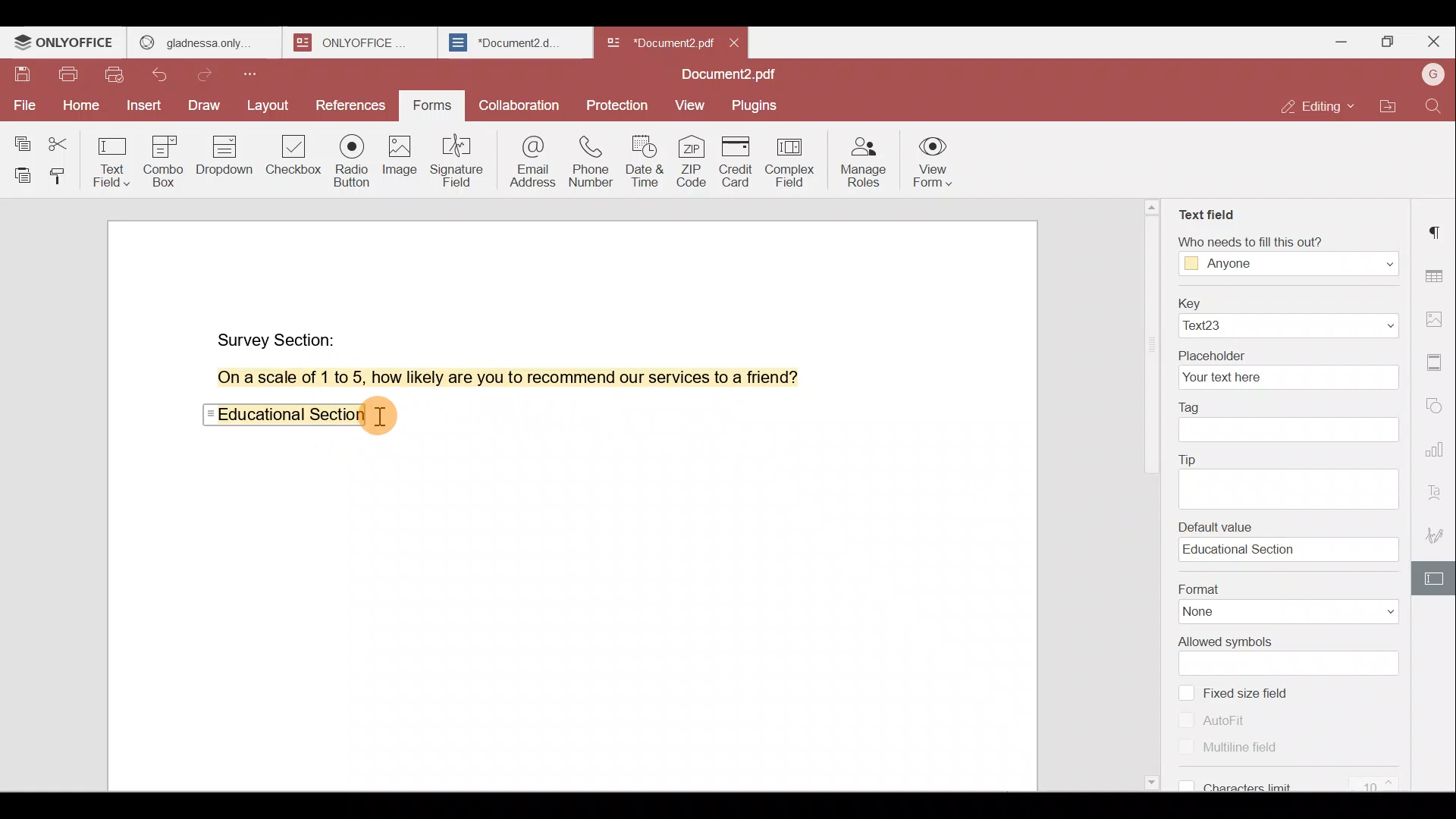 Image resolution: width=1456 pixels, height=819 pixels. What do you see at coordinates (295, 160) in the screenshot?
I see `Checkbox` at bounding box center [295, 160].